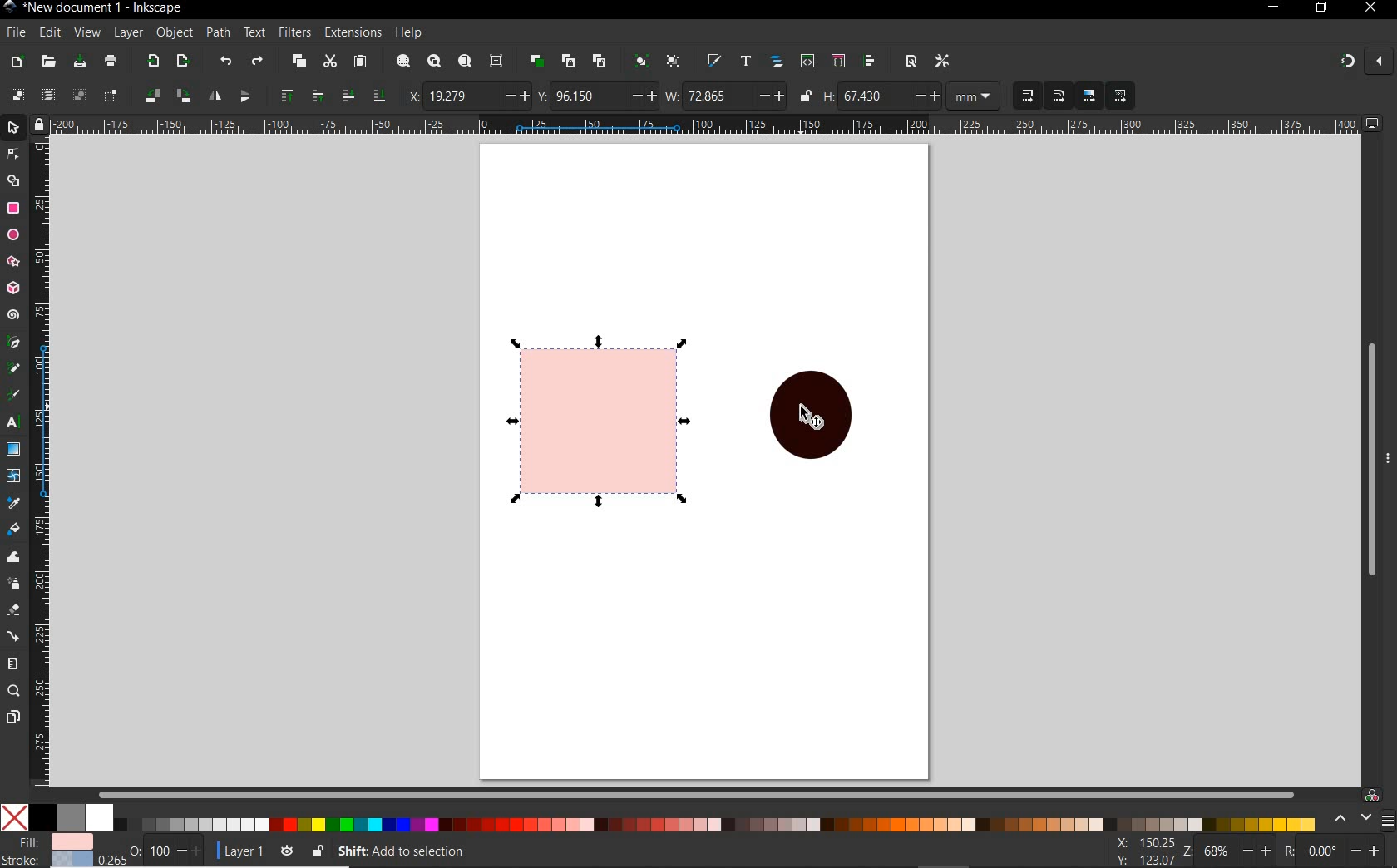  What do you see at coordinates (404, 61) in the screenshot?
I see `zoom selection` at bounding box center [404, 61].